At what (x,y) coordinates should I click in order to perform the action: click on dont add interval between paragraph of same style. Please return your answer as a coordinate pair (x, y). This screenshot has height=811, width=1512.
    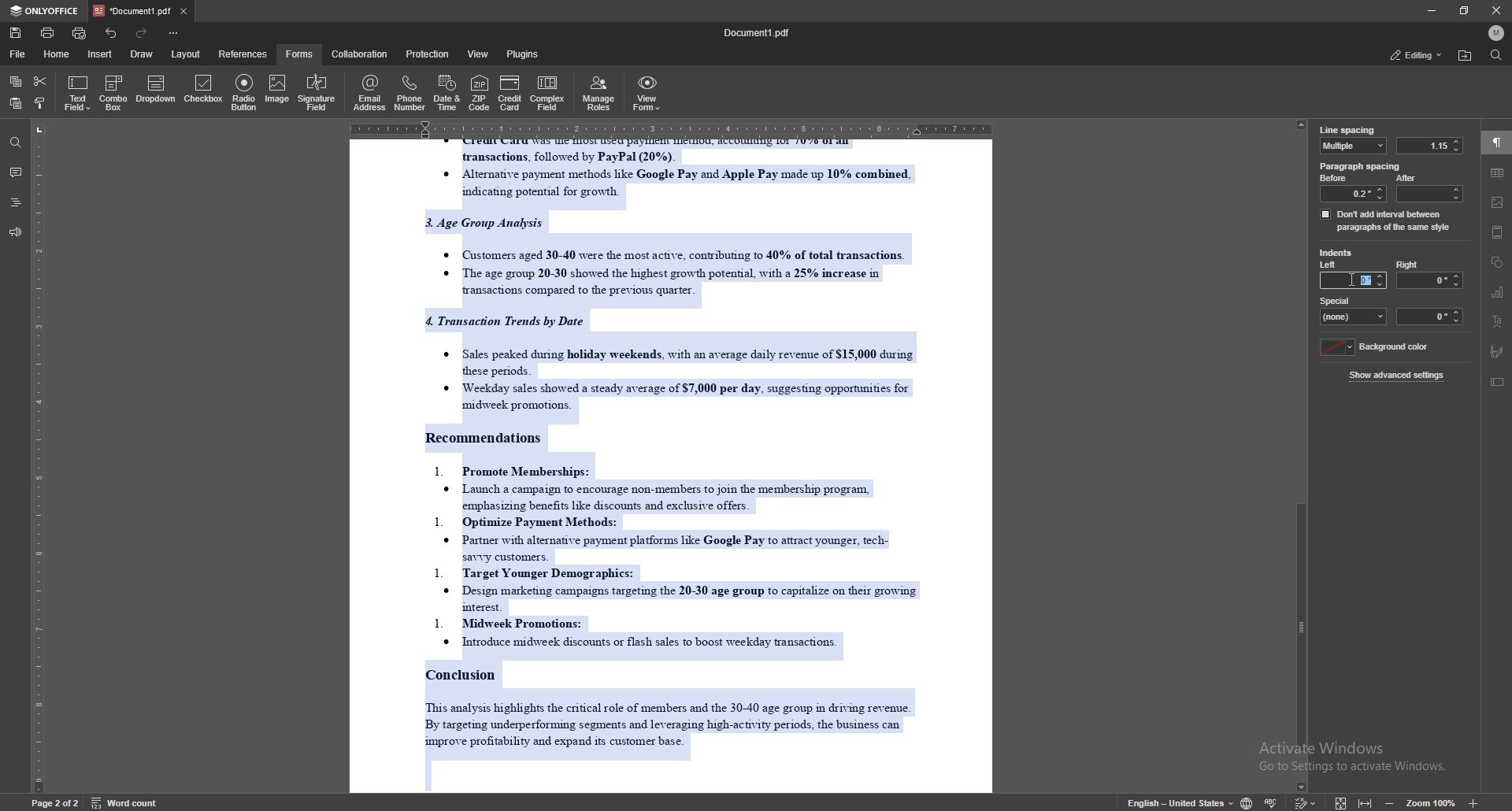
    Looking at the image, I should click on (1386, 220).